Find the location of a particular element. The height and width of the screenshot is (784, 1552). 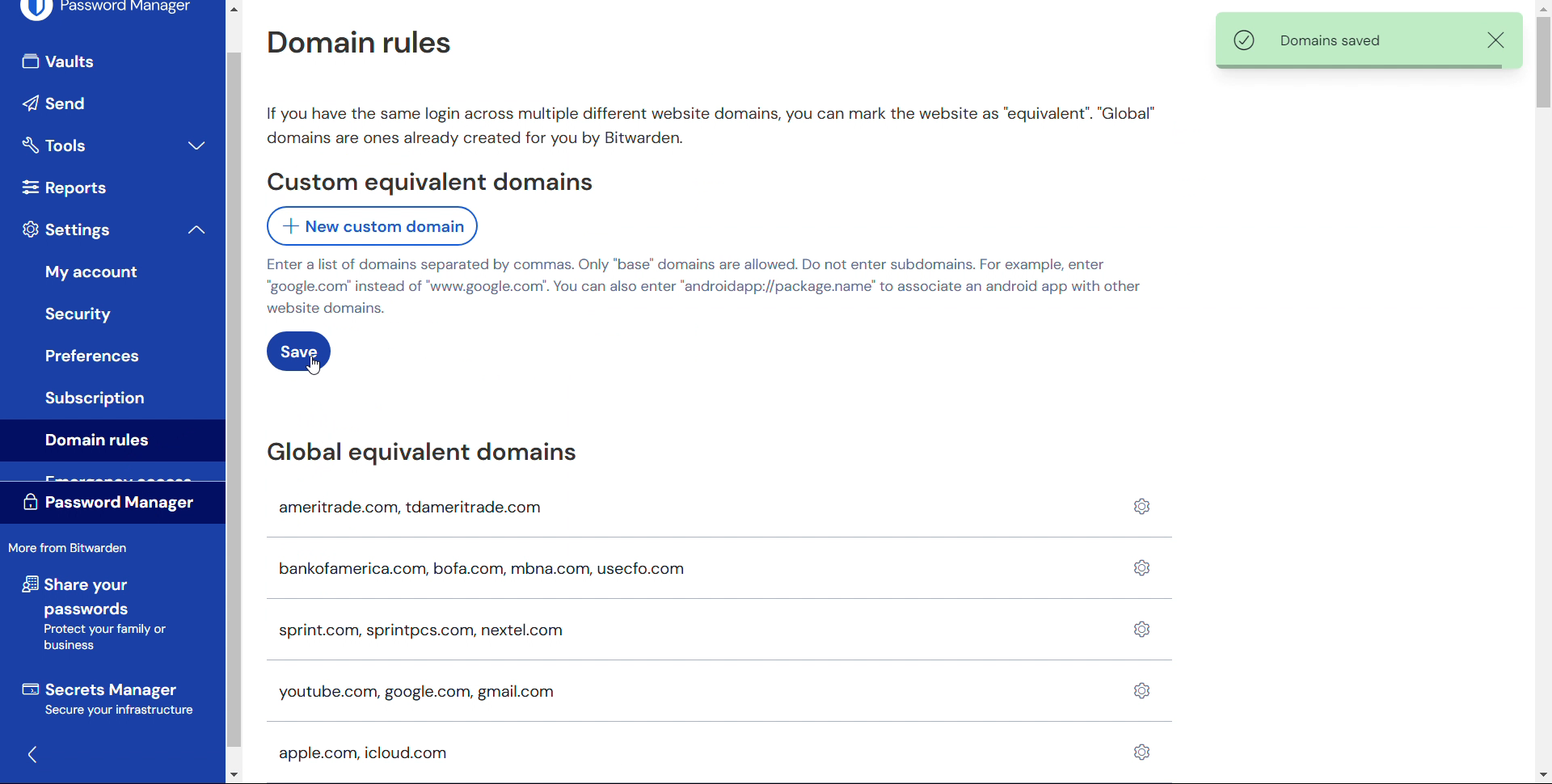

Vaults  is located at coordinates (108, 62).